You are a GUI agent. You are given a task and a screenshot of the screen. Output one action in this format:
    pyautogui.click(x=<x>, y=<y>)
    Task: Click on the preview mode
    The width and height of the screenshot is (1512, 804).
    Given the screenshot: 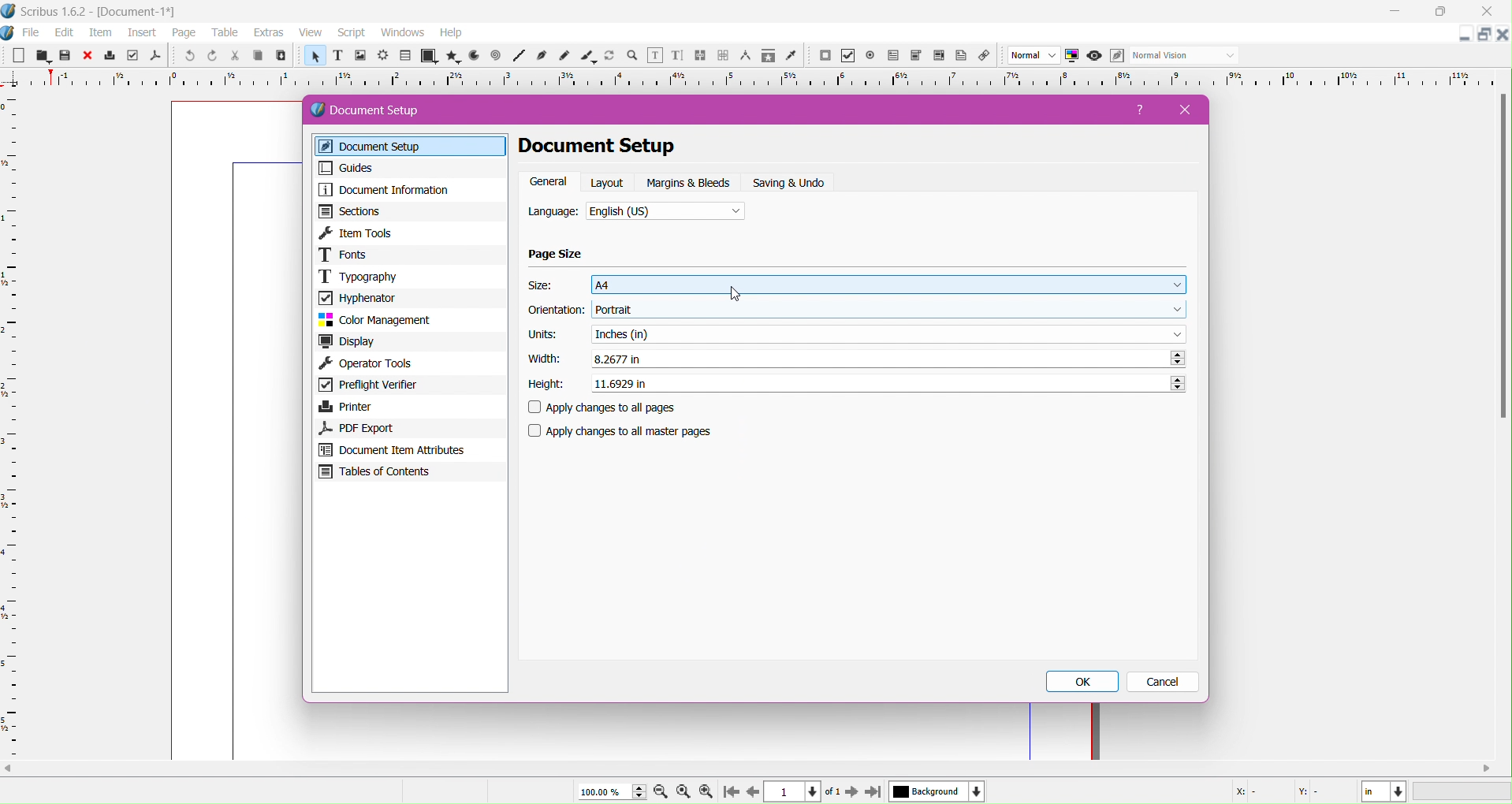 What is the action you would take?
    pyautogui.click(x=1093, y=56)
    